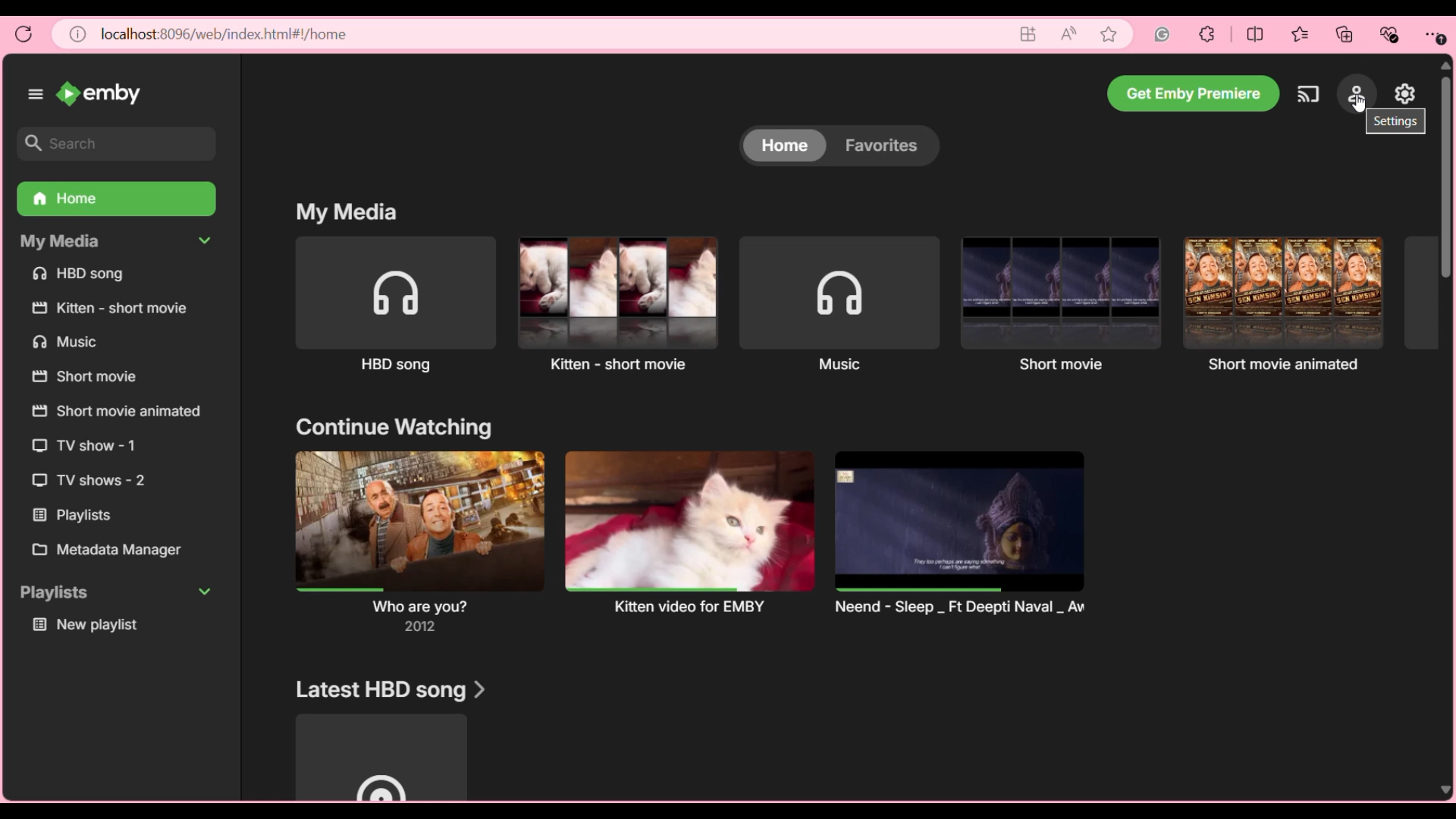 The width and height of the screenshot is (1456, 819). I want to click on View site information, so click(78, 34).